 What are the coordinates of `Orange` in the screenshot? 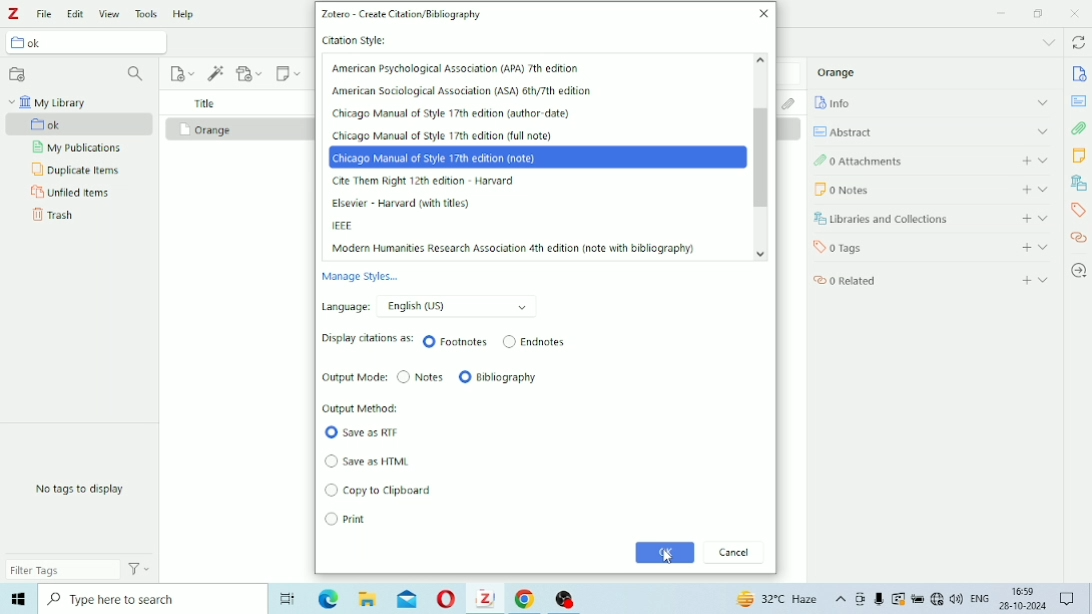 It's located at (205, 129).